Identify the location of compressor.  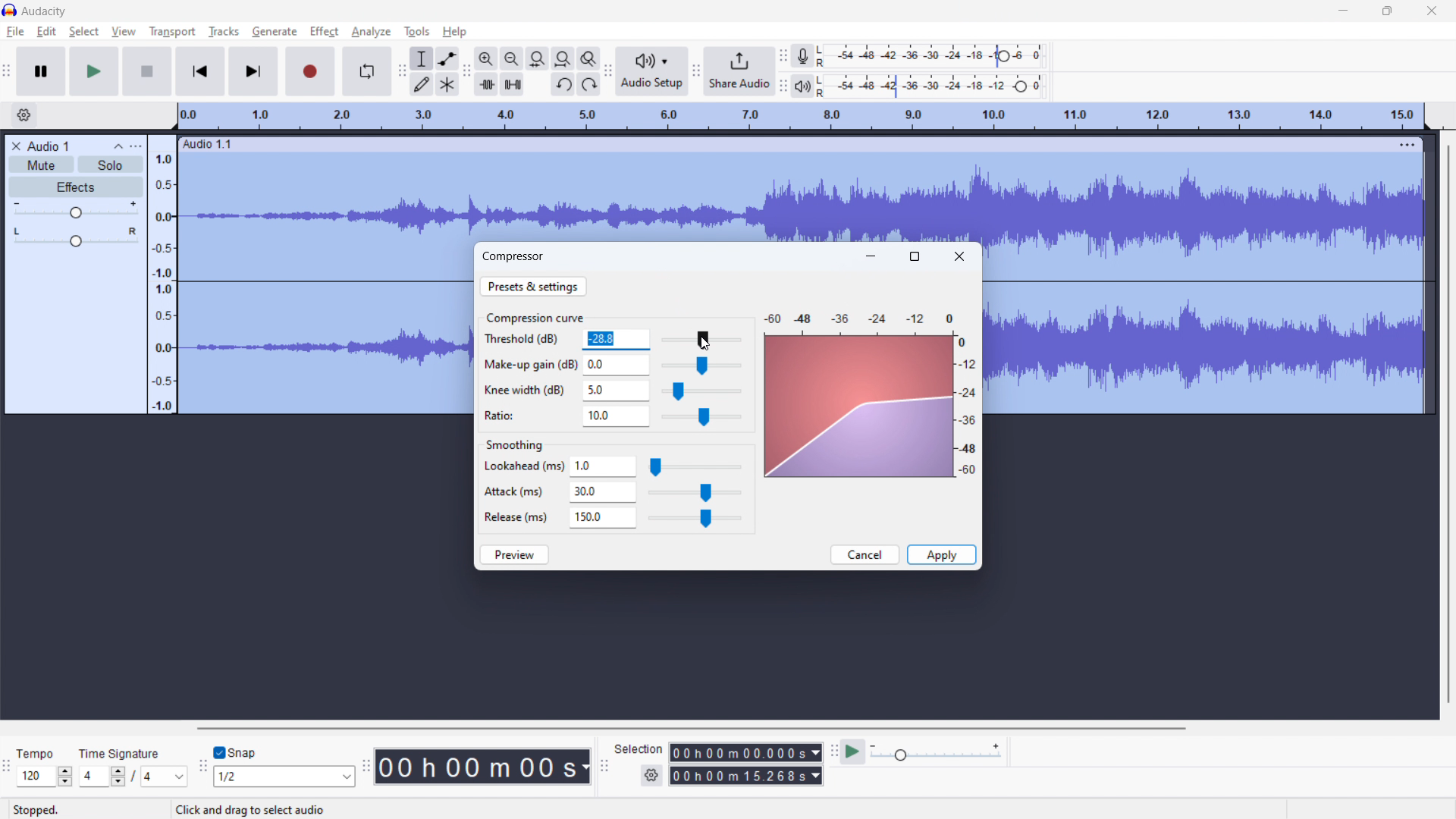
(514, 256).